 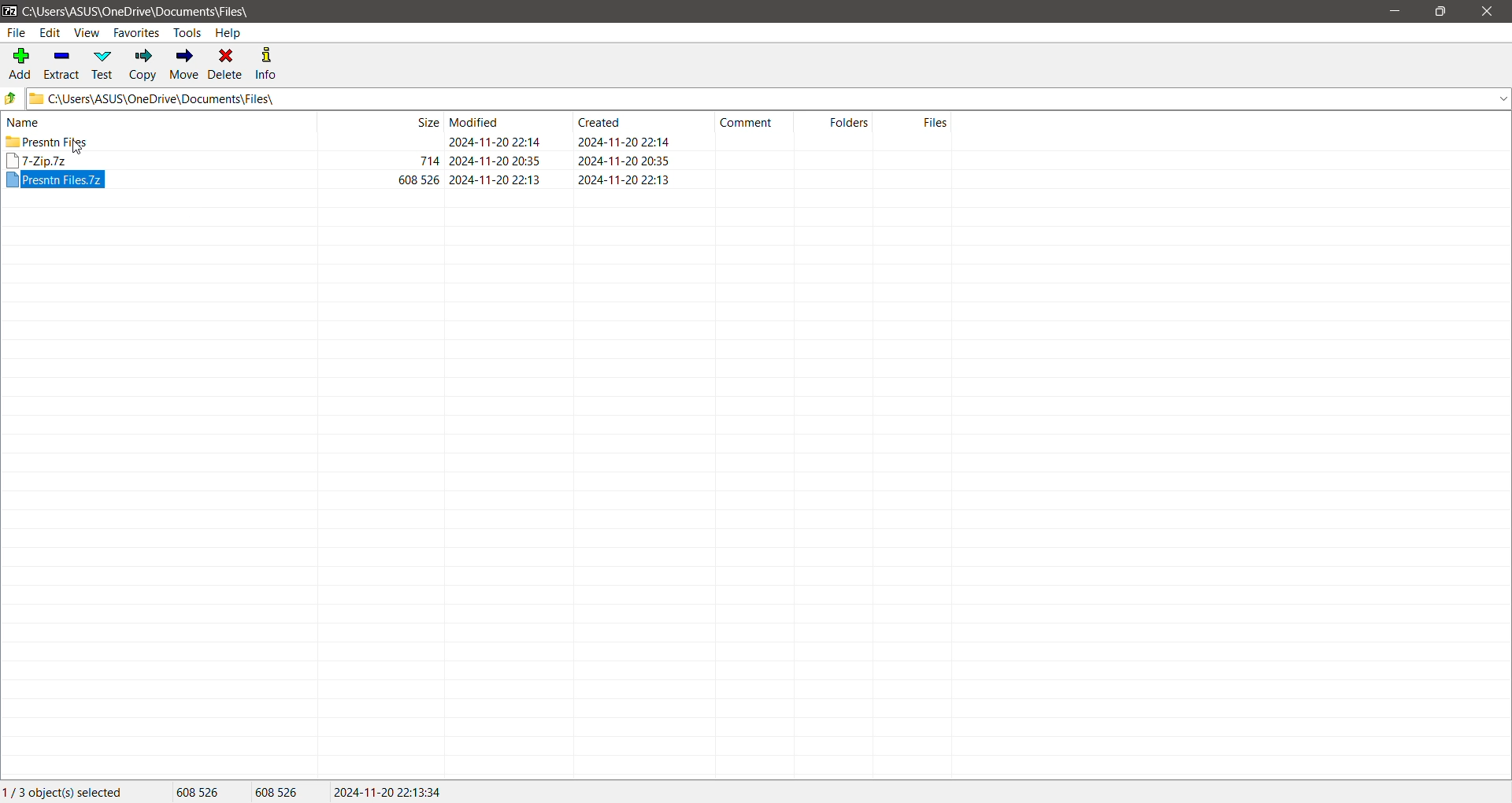 I want to click on created, so click(x=599, y=121).